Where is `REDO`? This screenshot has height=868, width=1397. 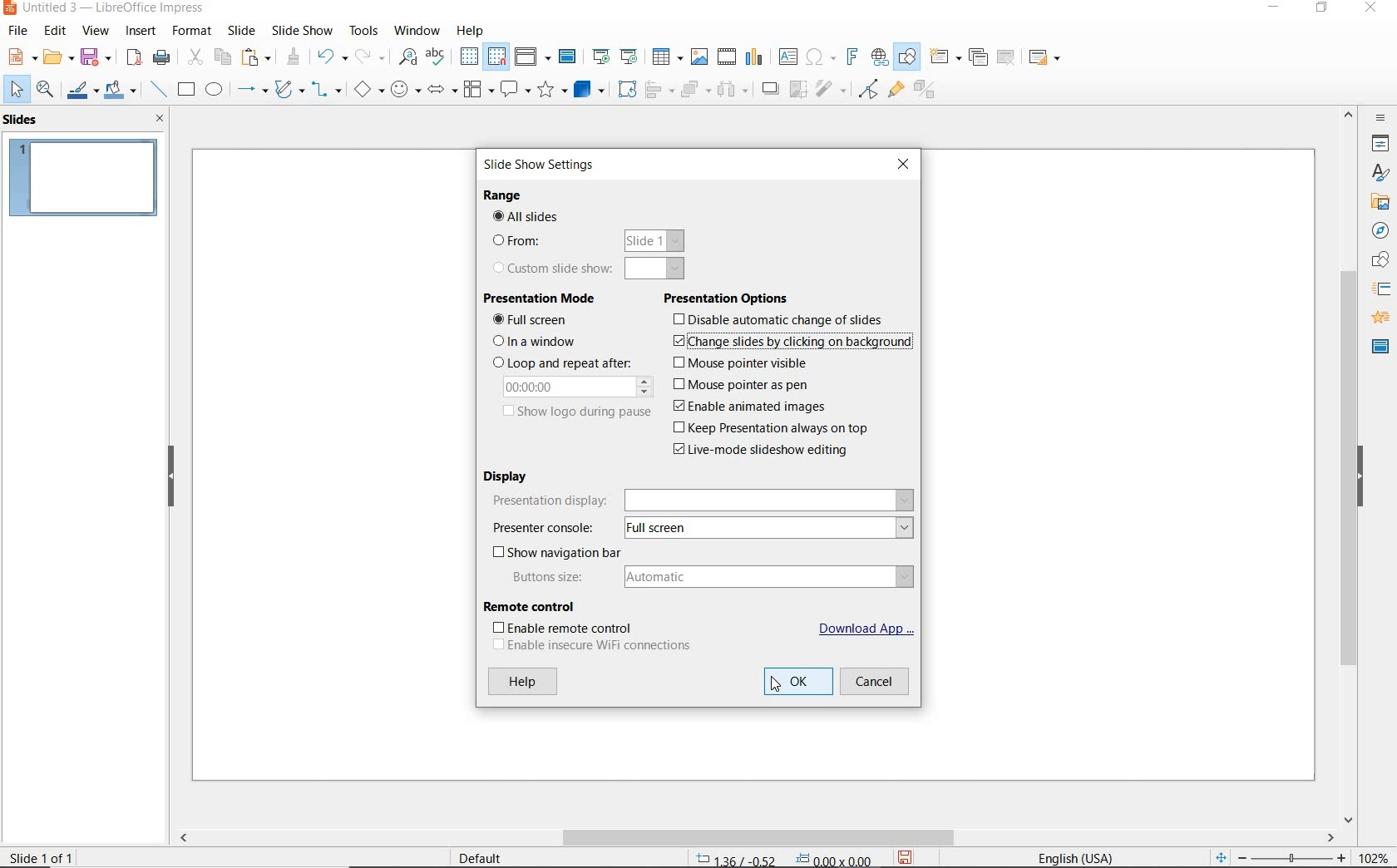
REDO is located at coordinates (368, 57).